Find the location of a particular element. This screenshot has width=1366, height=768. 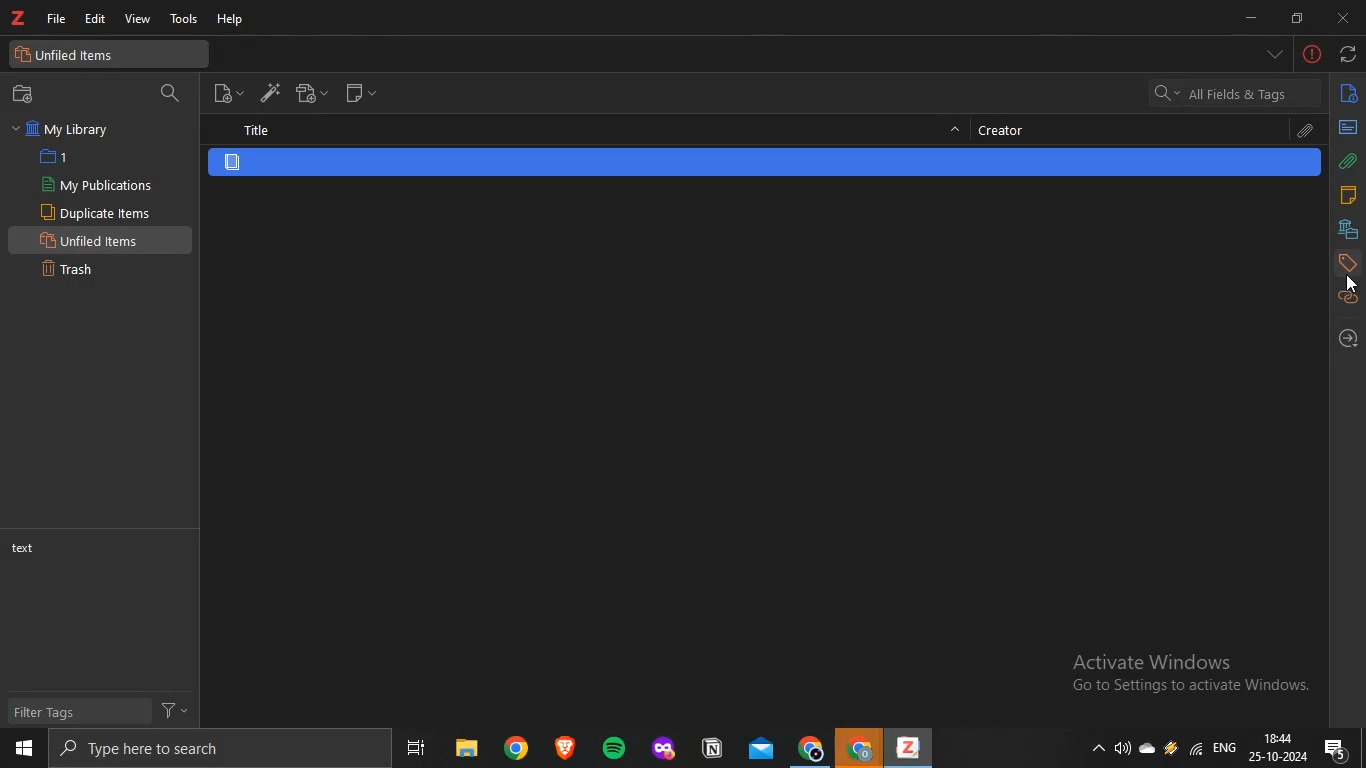

attachments is located at coordinates (1305, 129).